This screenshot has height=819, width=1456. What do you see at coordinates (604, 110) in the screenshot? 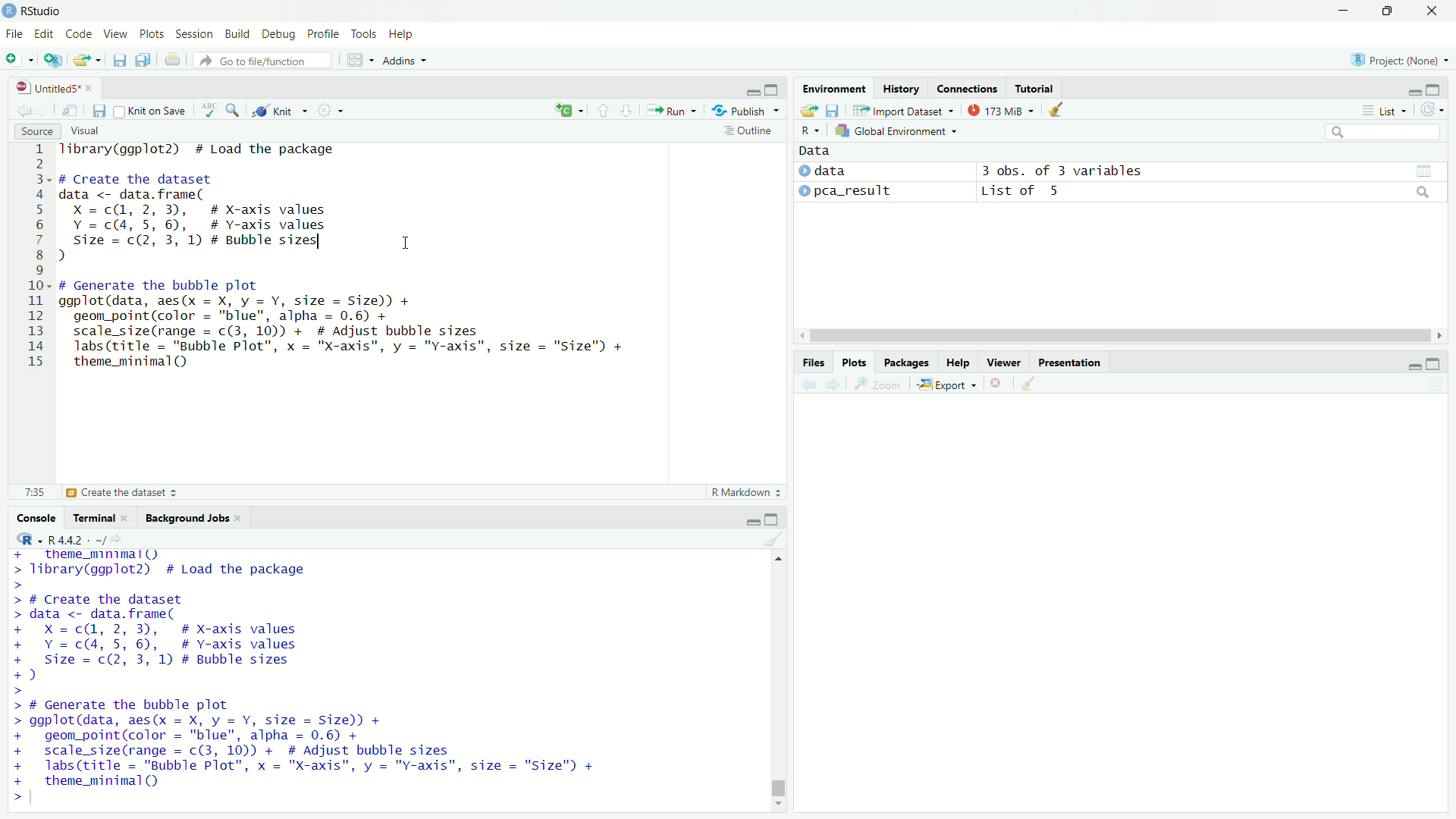
I see `go to previous section` at bounding box center [604, 110].